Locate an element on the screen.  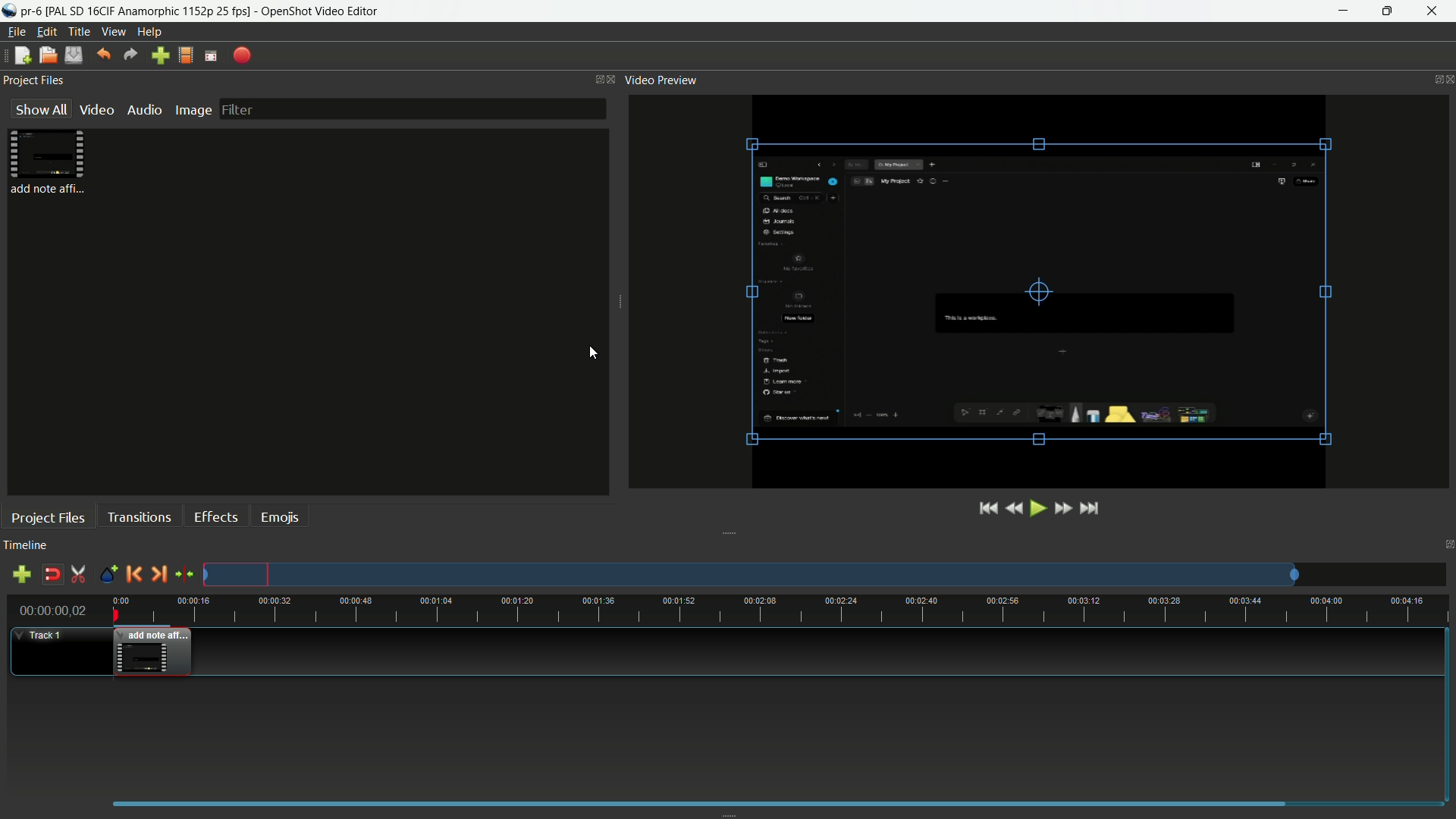
project files is located at coordinates (48, 516).